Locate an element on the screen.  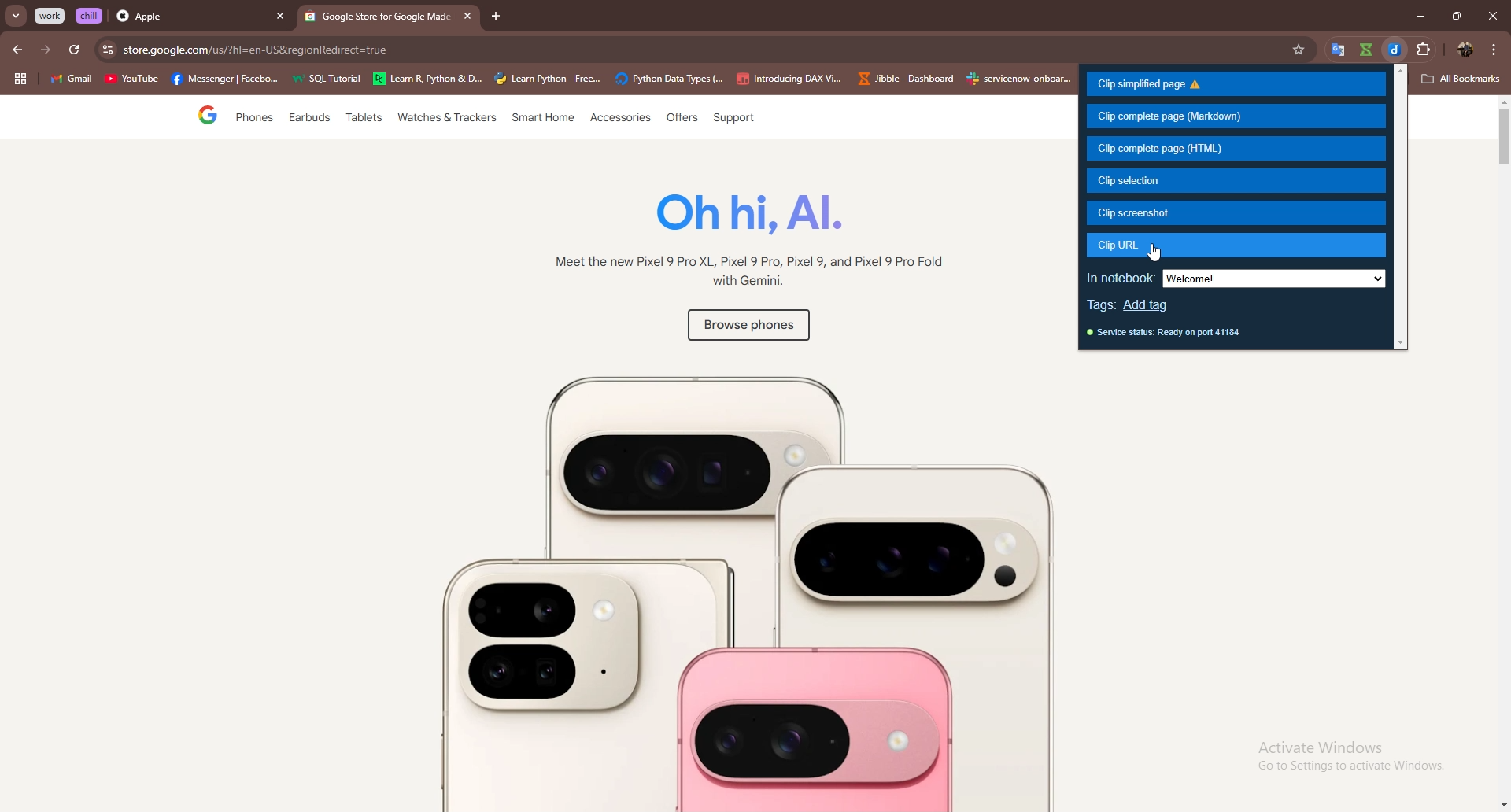
site settings is located at coordinates (106, 50).